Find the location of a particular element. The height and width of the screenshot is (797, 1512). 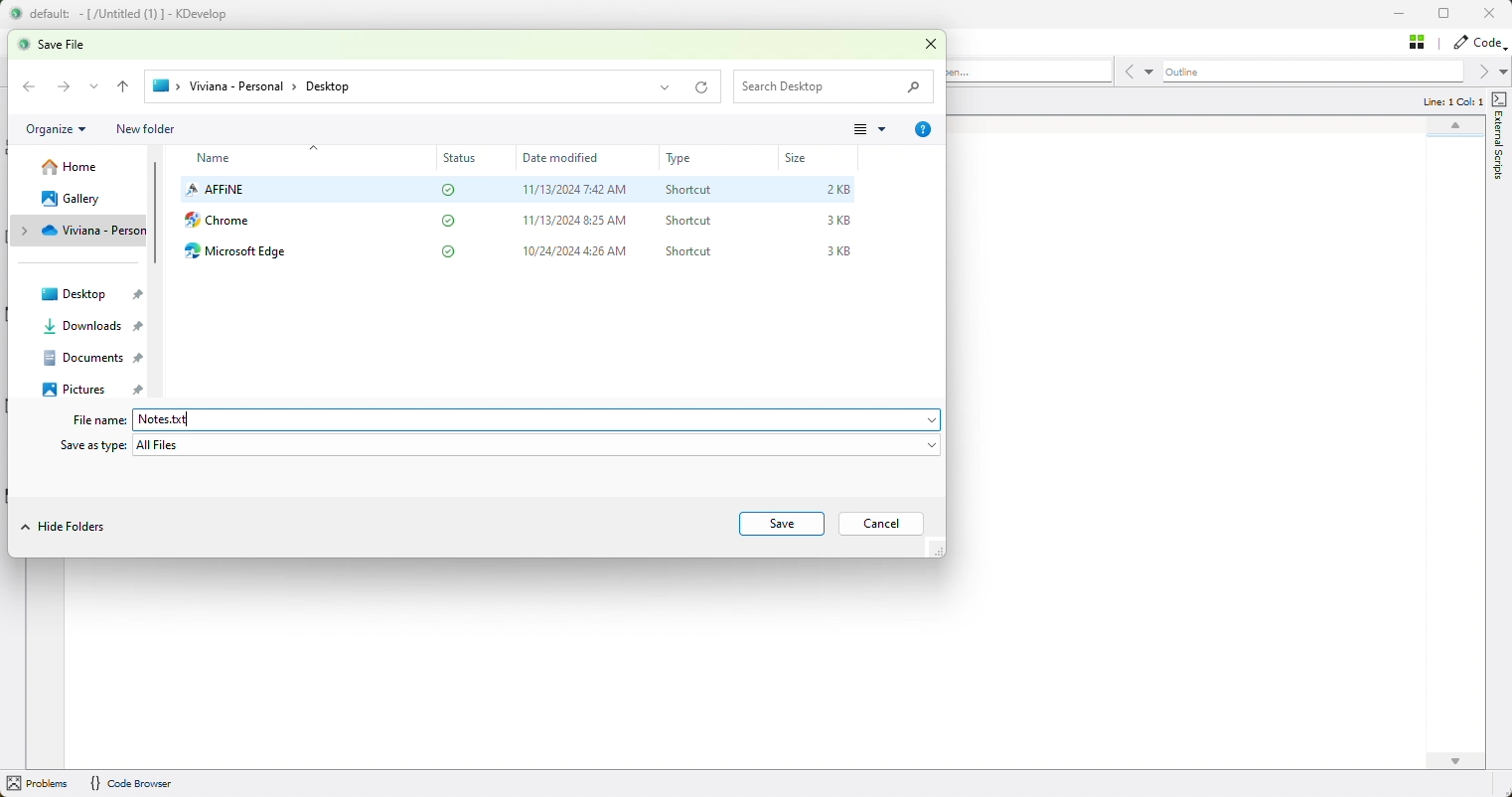

{} Code Browser is located at coordinates (131, 784).